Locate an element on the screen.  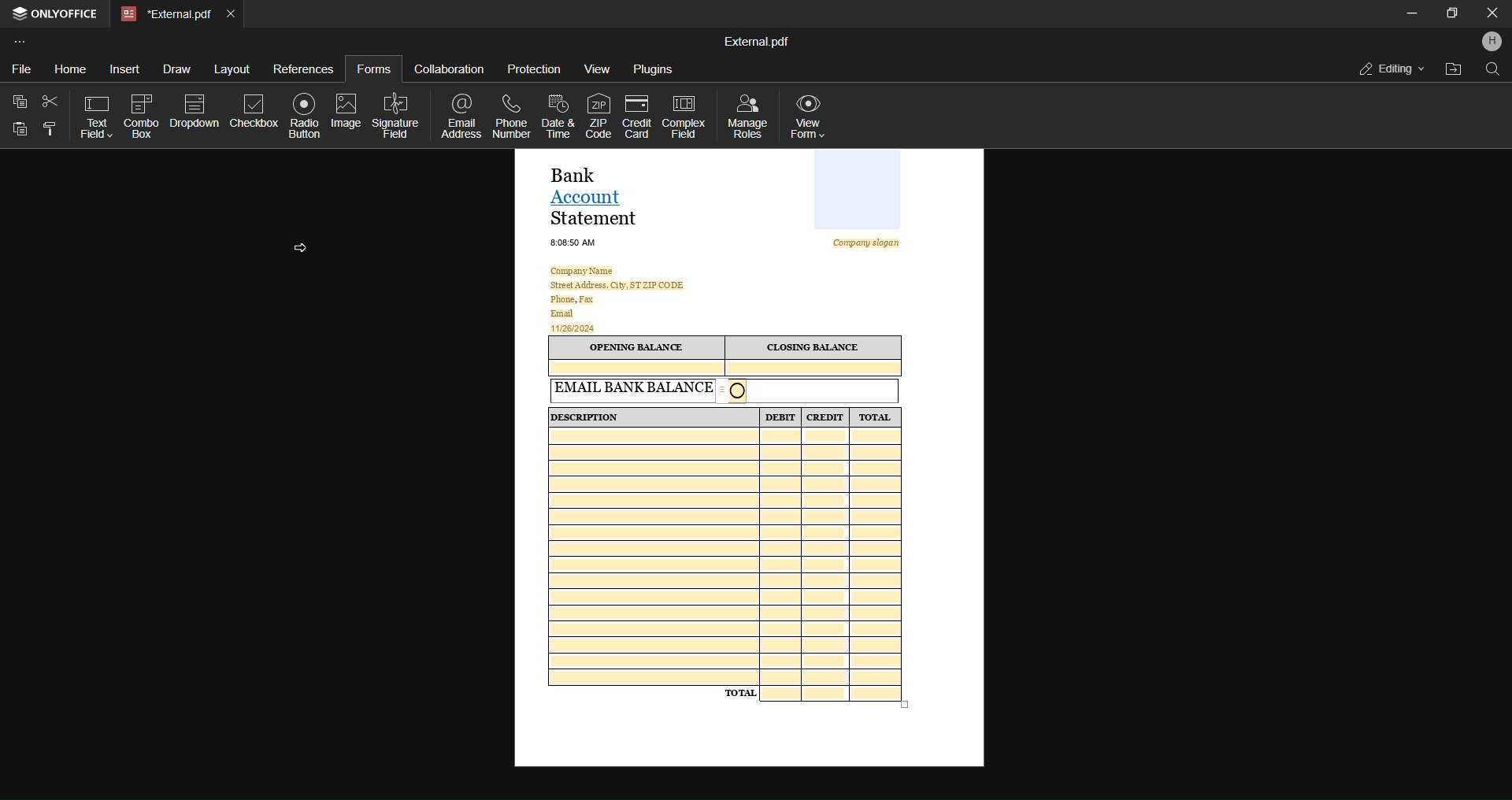
current open tab is located at coordinates (165, 15).